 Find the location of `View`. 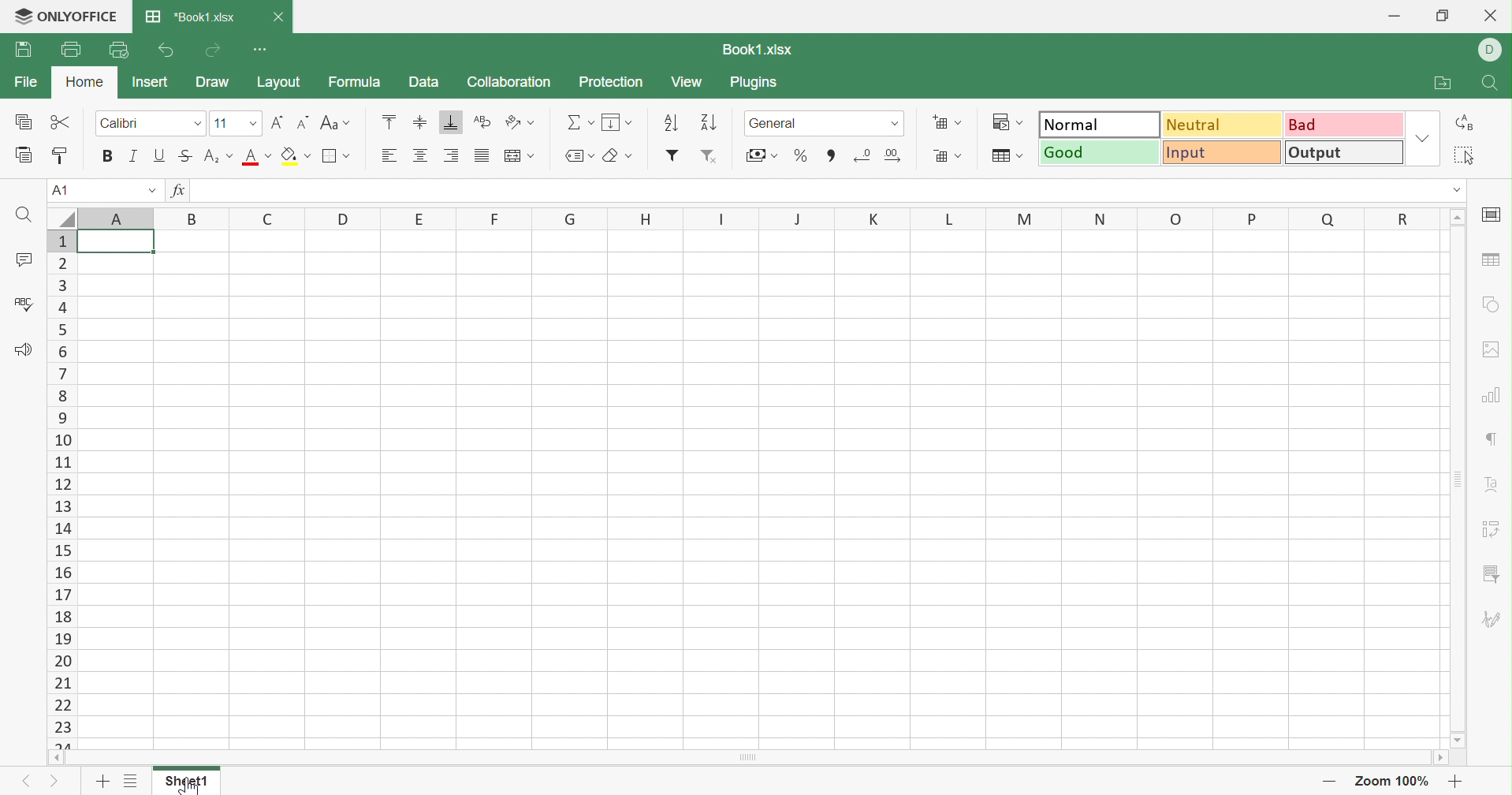

View is located at coordinates (687, 81).